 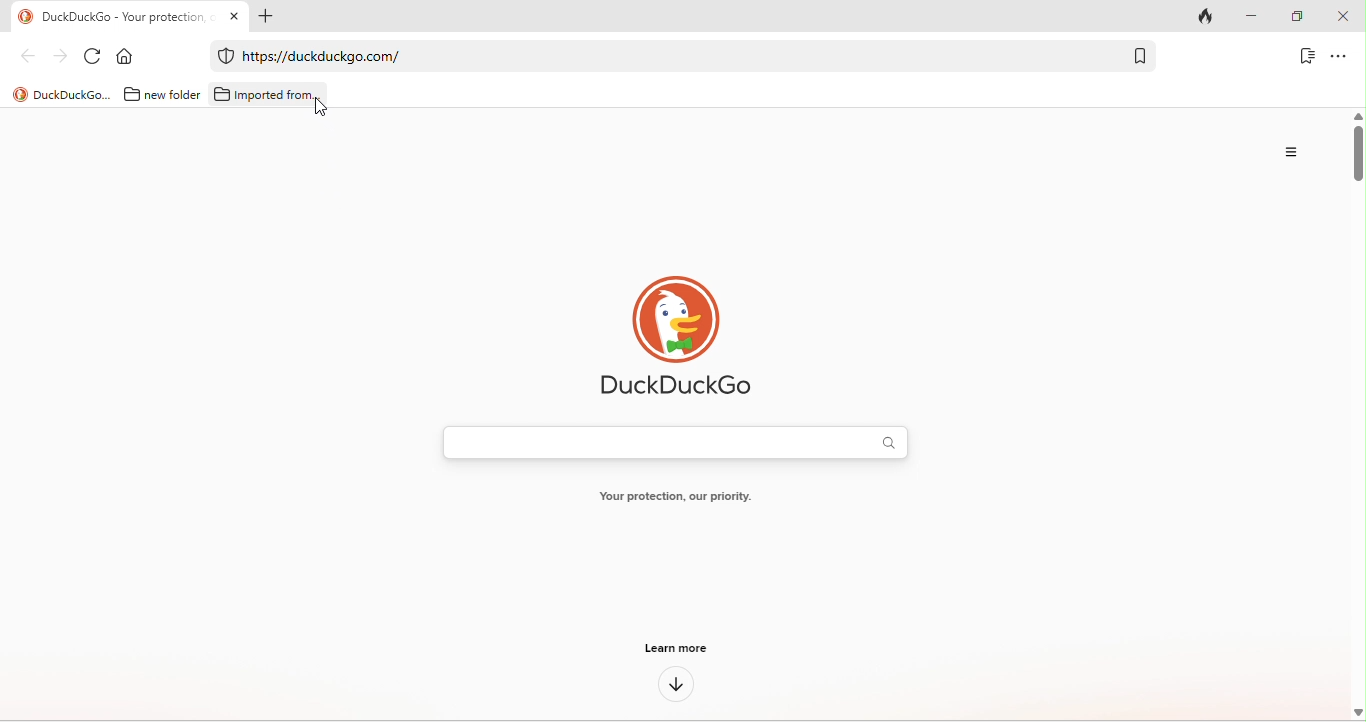 I want to click on maximize, so click(x=1301, y=17).